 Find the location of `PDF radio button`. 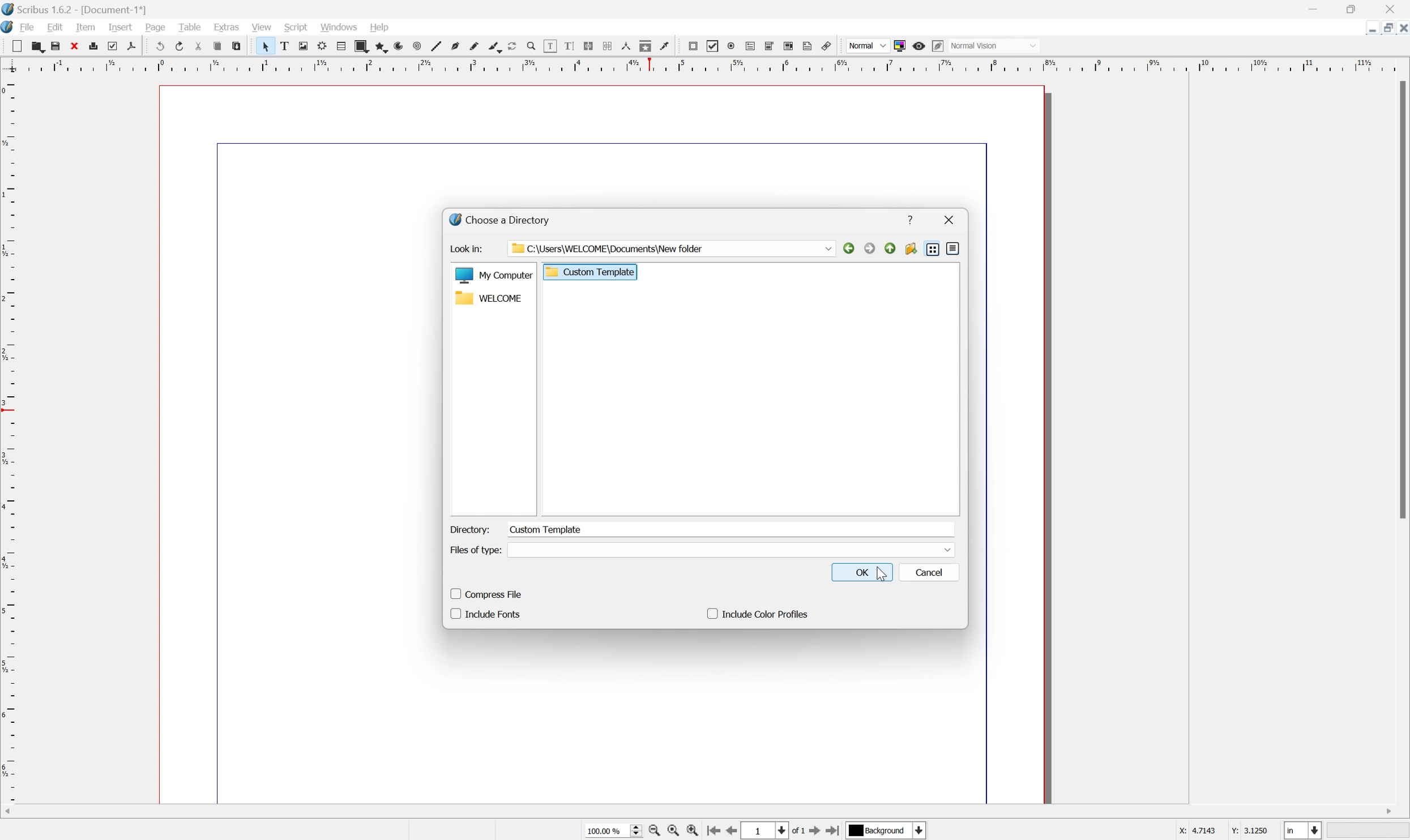

PDF radio button is located at coordinates (732, 46).